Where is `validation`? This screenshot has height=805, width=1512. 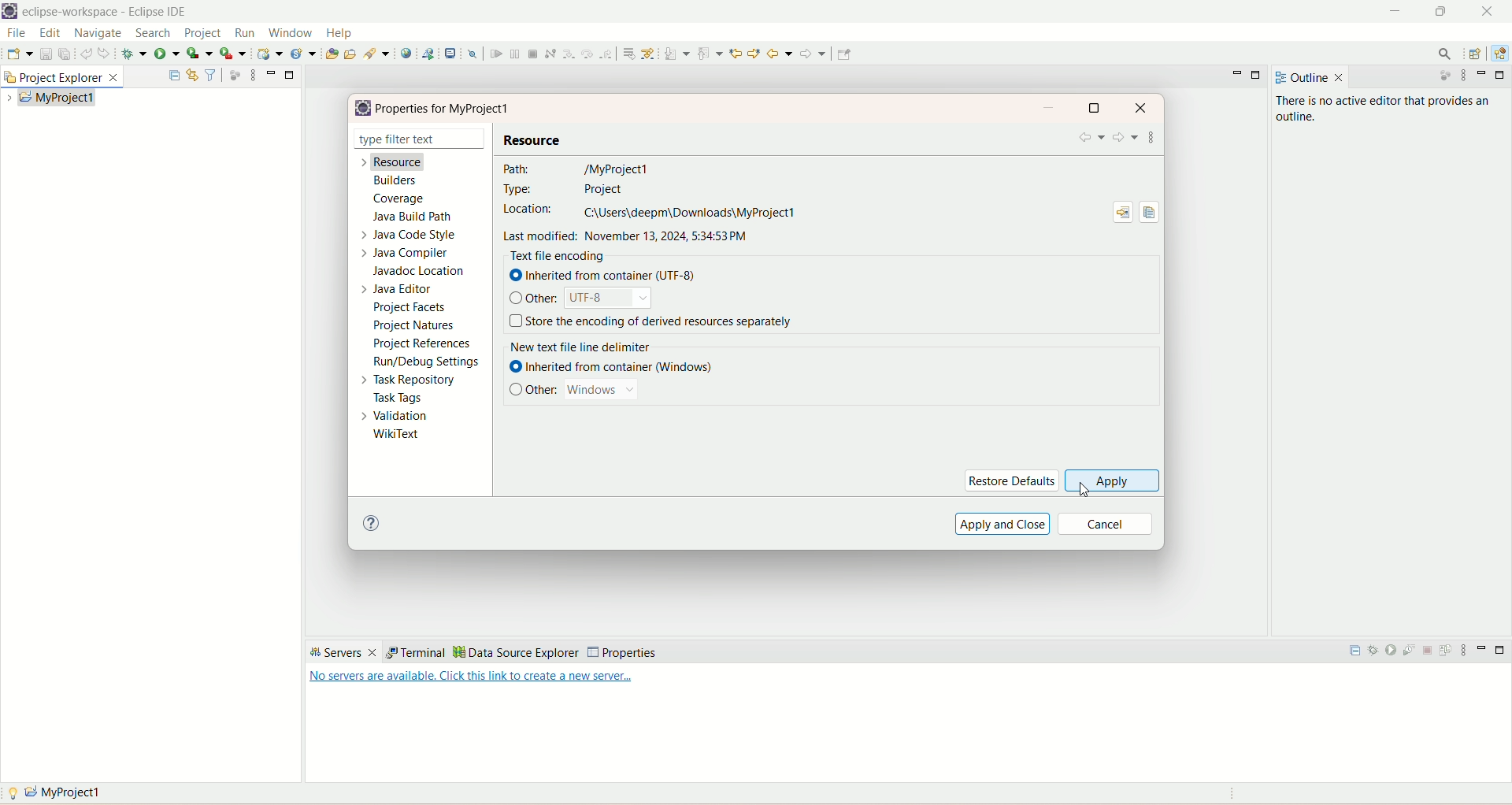 validation is located at coordinates (391, 417).